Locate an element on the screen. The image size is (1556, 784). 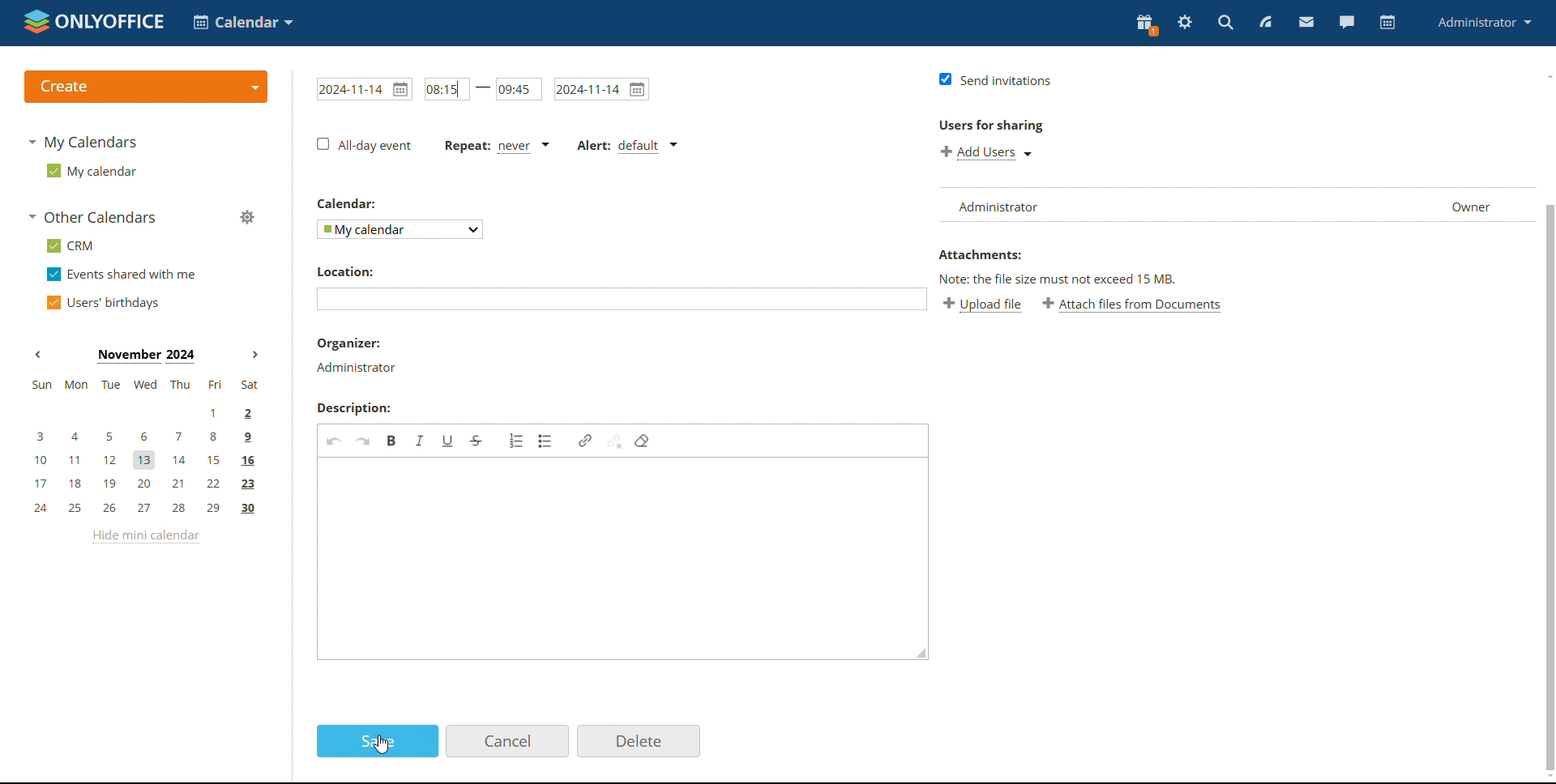
Add description is located at coordinates (622, 559).